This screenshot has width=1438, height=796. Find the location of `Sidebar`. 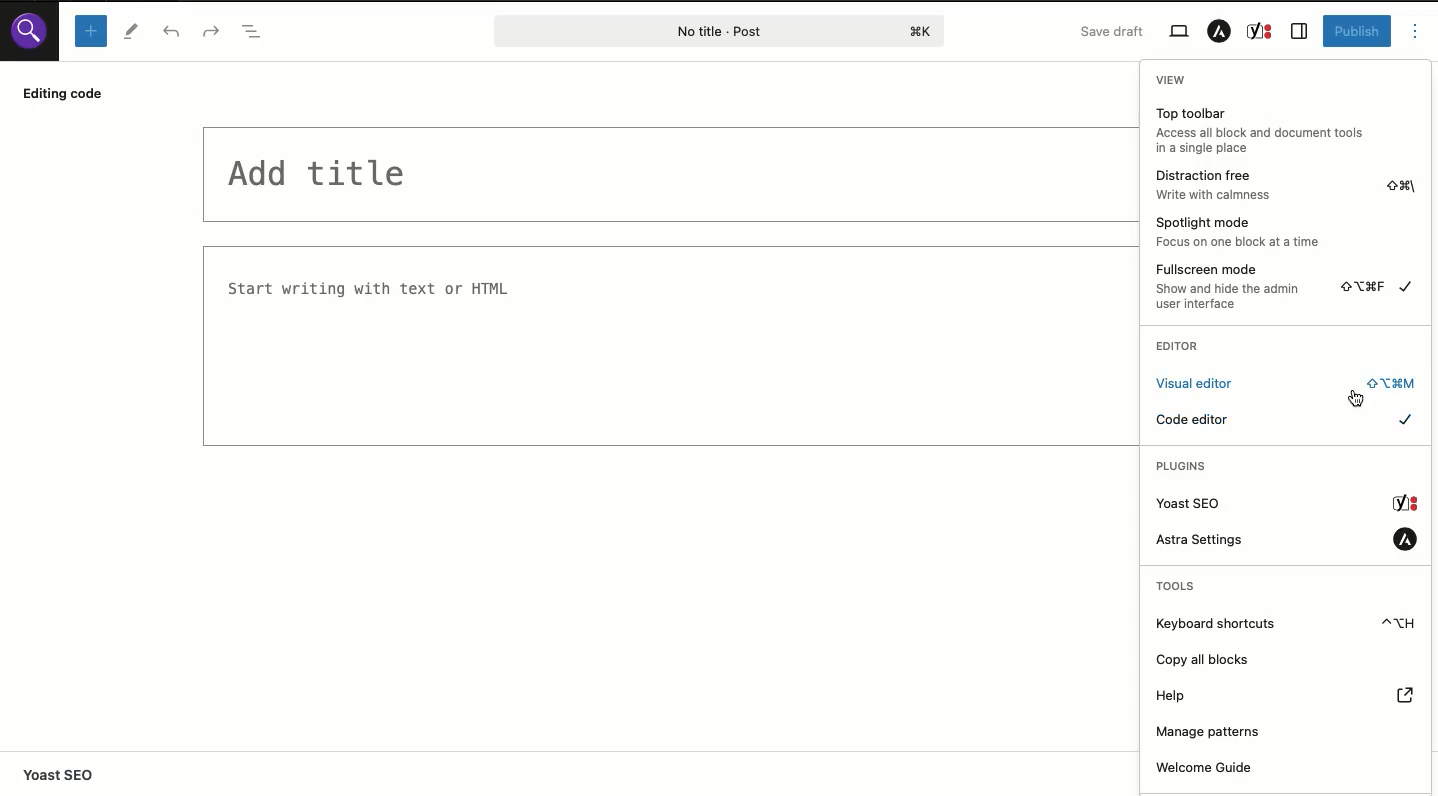

Sidebar is located at coordinates (1300, 31).